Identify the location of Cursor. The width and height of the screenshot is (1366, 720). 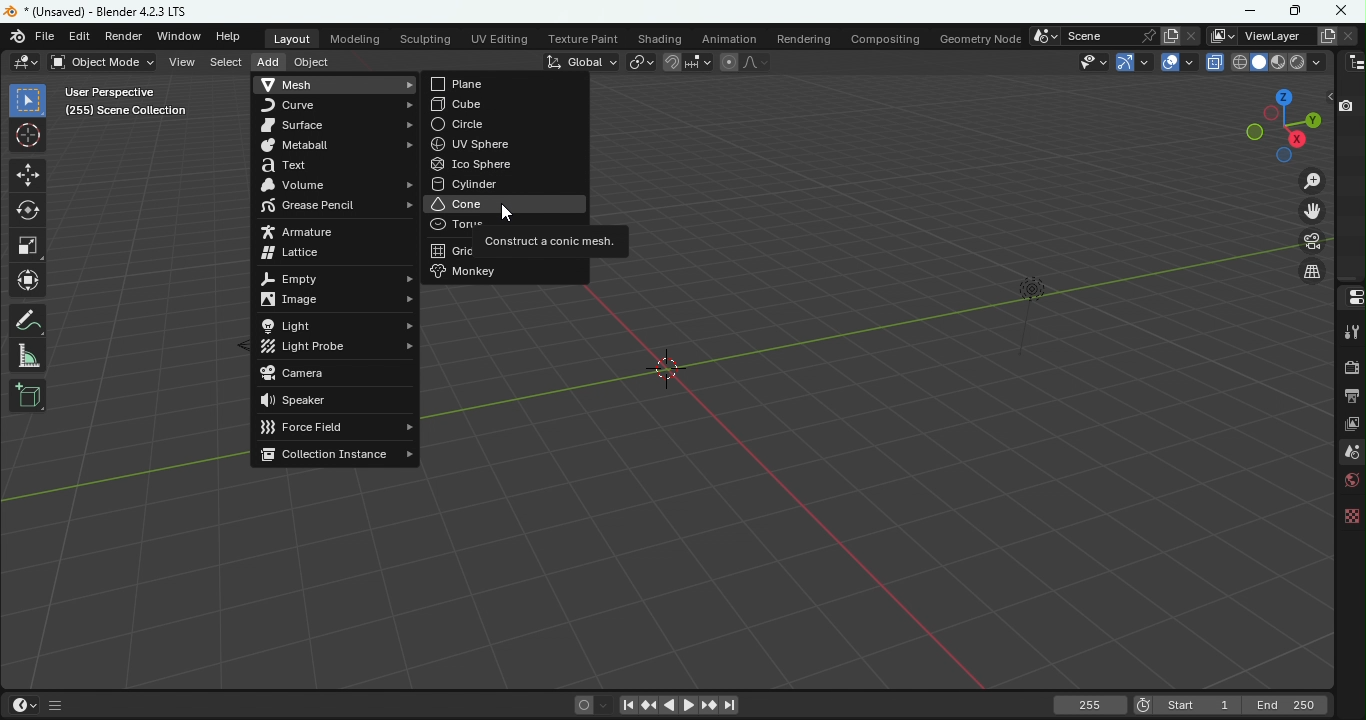
(29, 136).